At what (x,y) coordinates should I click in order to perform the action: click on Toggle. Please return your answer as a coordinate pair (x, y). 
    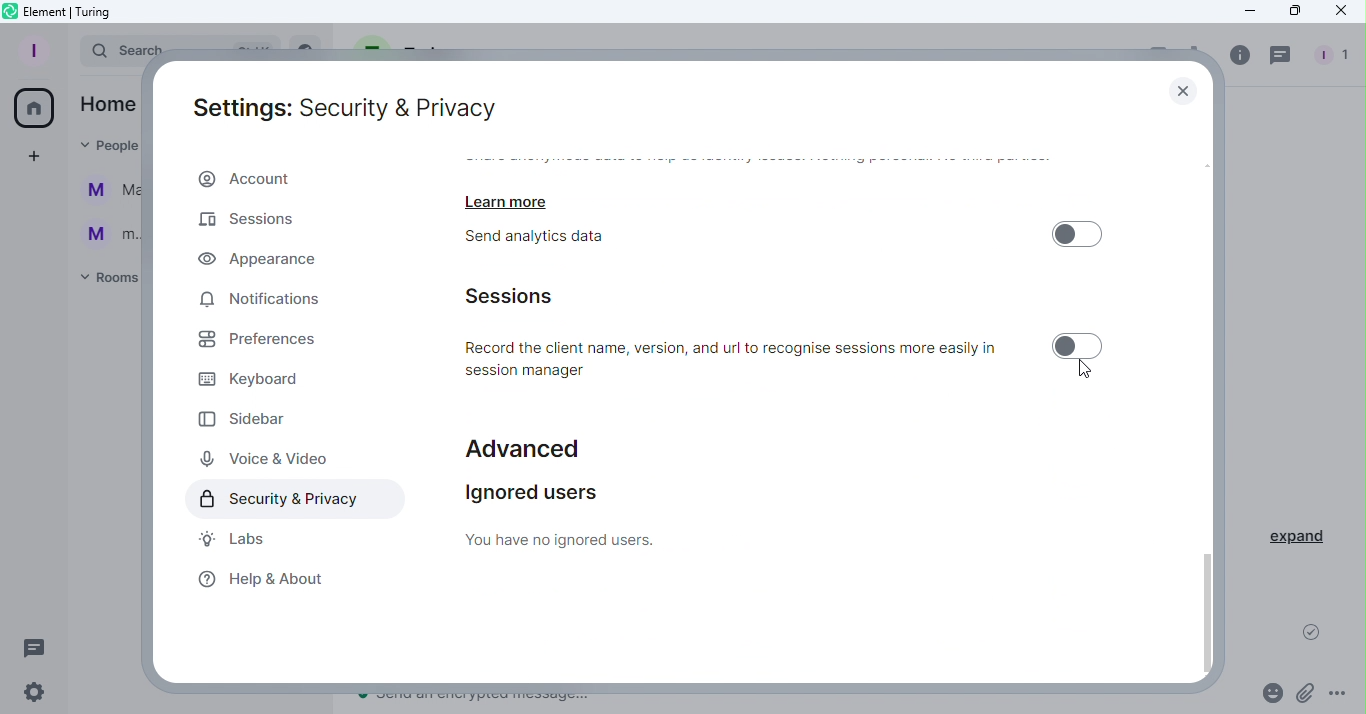
    Looking at the image, I should click on (1074, 346).